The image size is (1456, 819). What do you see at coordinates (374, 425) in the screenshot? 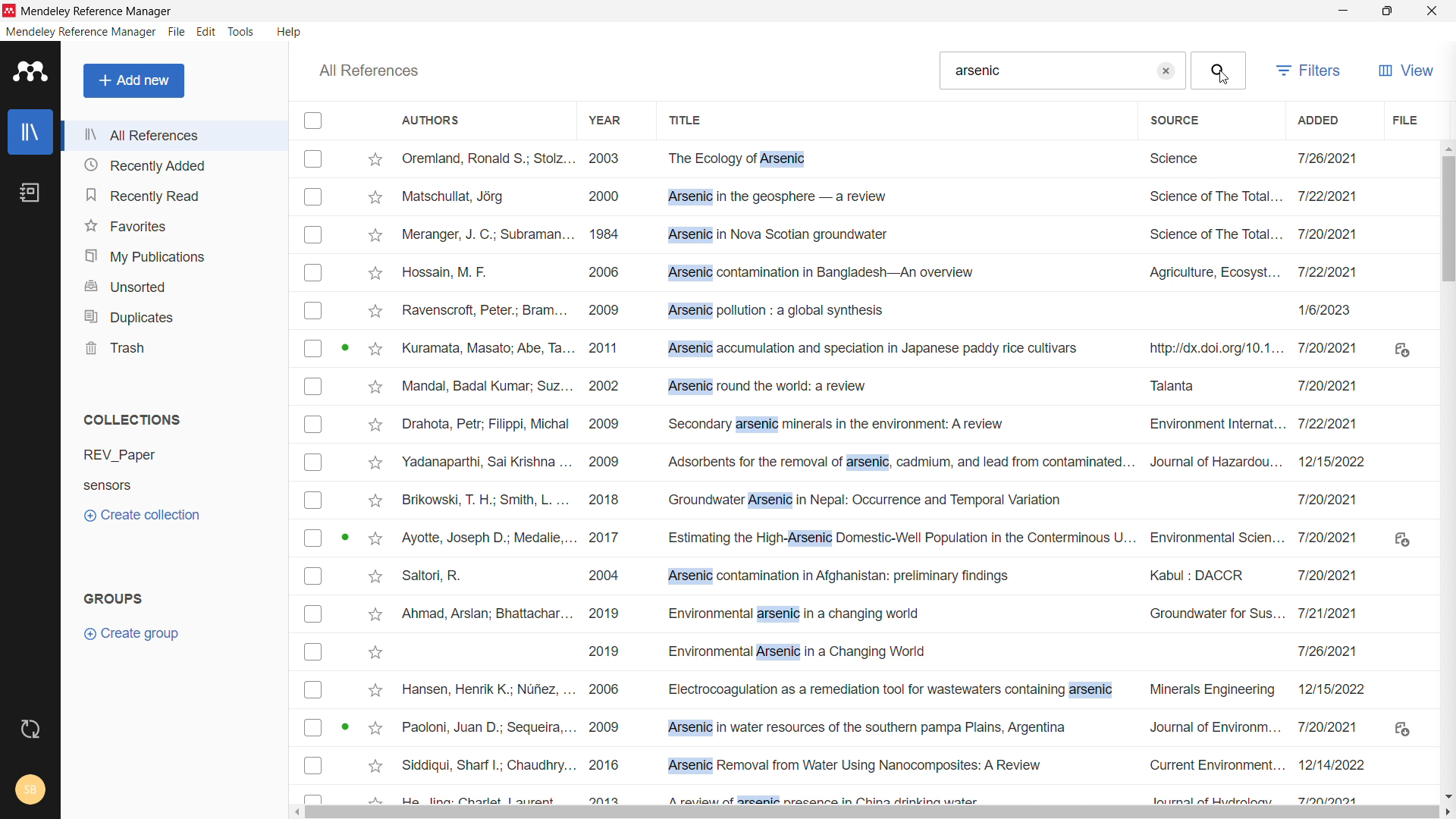
I see `Add to favorites` at bounding box center [374, 425].